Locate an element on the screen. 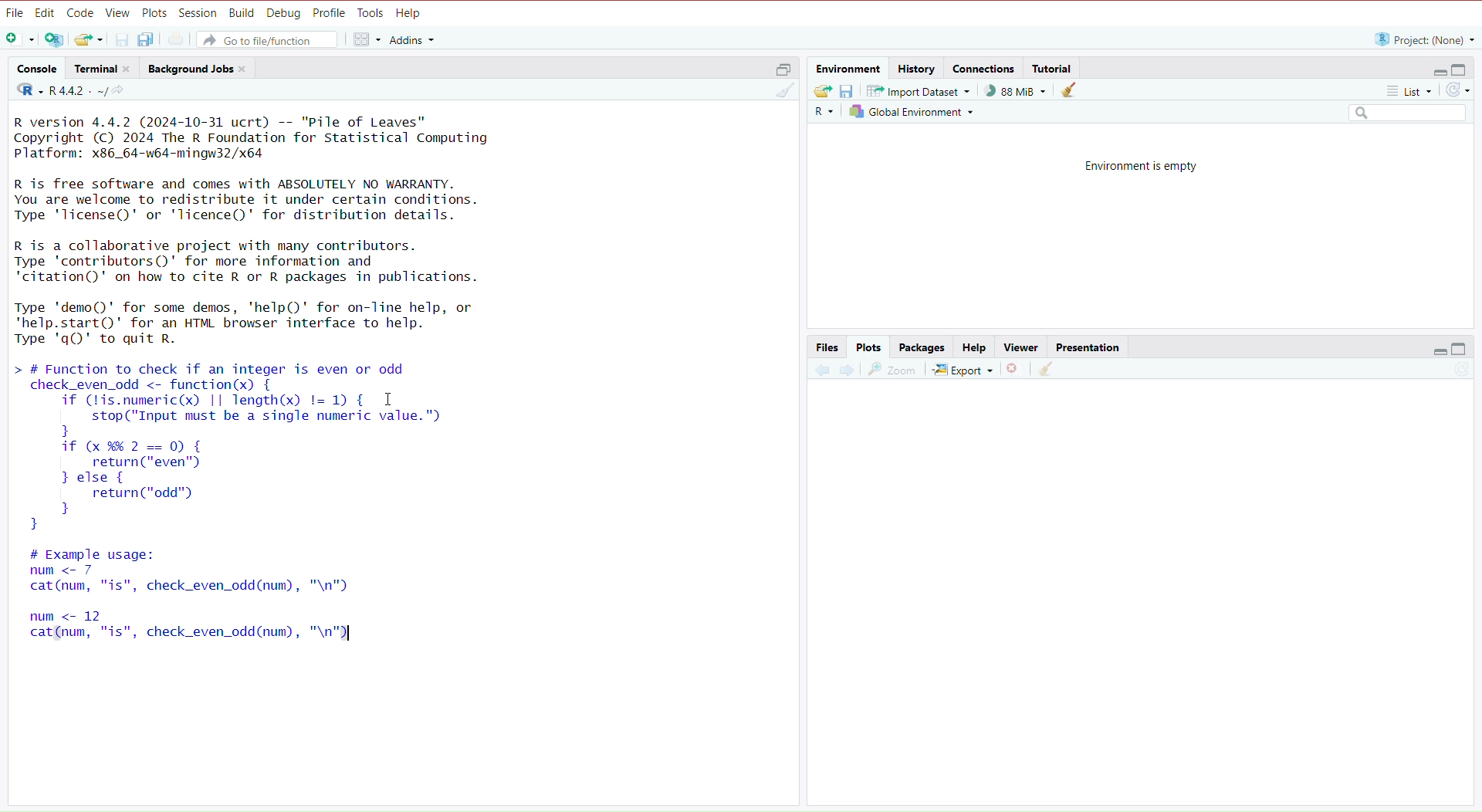  tutorial is located at coordinates (1054, 68).